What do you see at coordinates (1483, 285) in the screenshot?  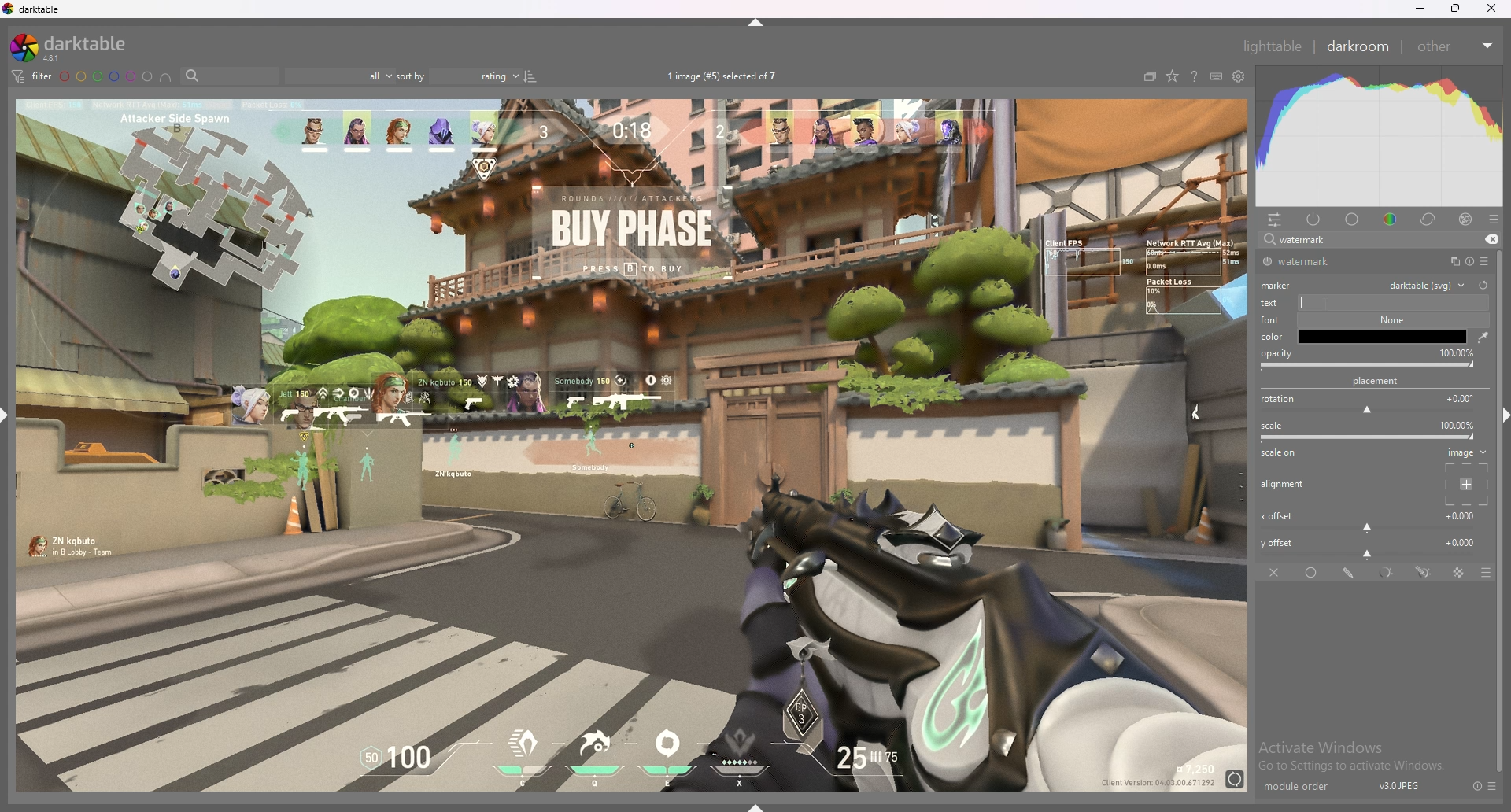 I see `refresh` at bounding box center [1483, 285].